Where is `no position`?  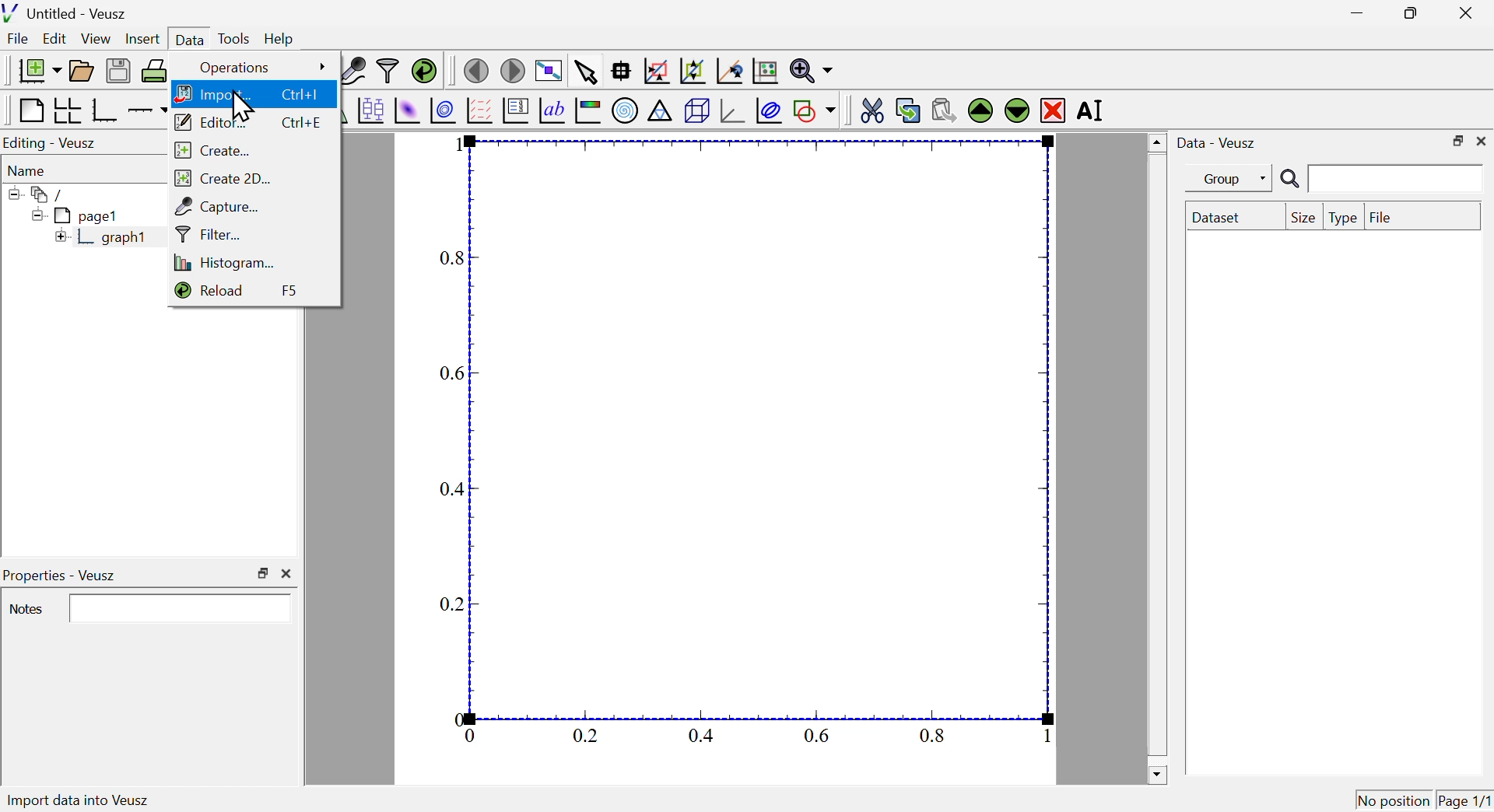
no position is located at coordinates (1394, 799).